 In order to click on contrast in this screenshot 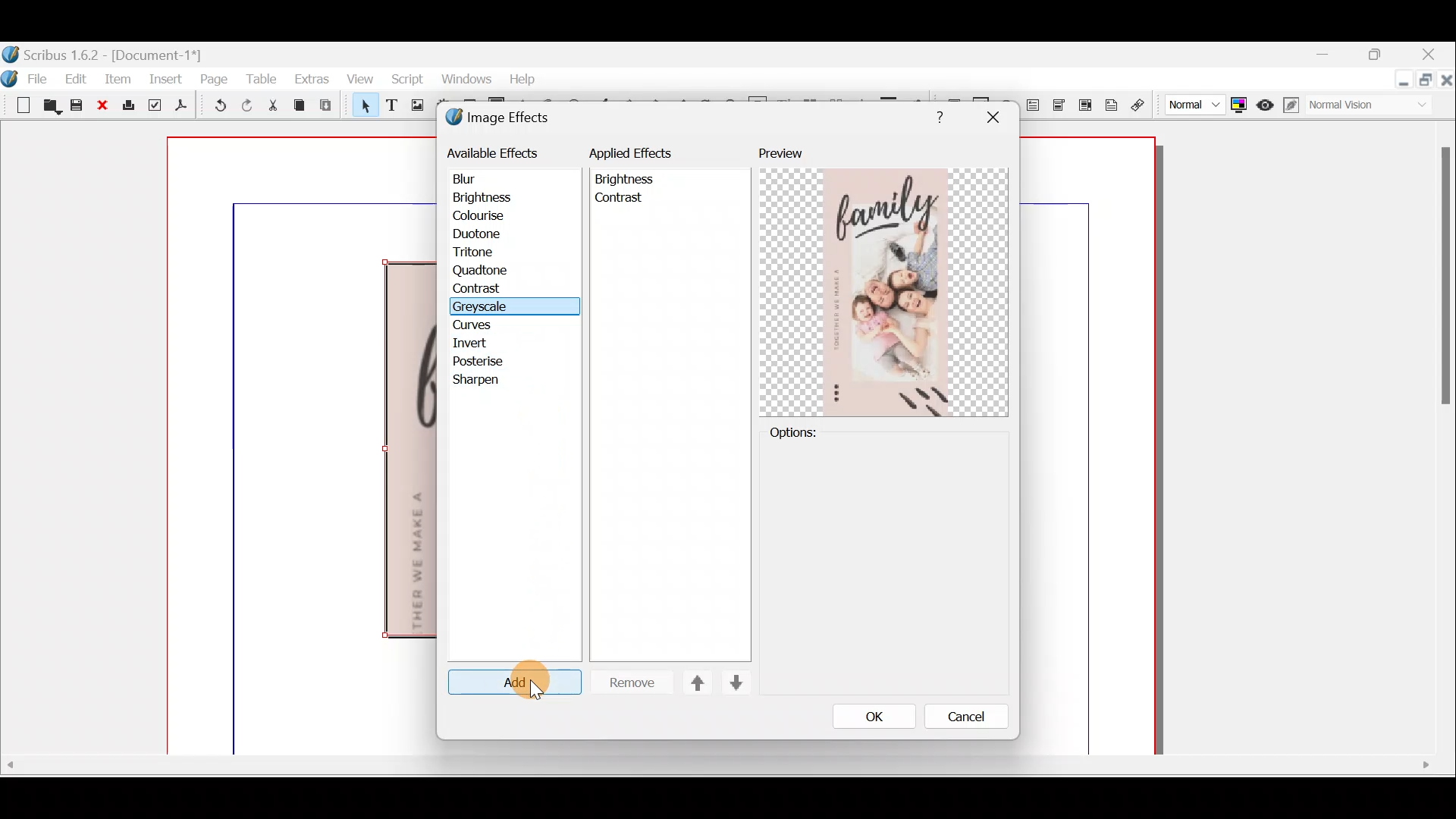, I will do `click(621, 201)`.